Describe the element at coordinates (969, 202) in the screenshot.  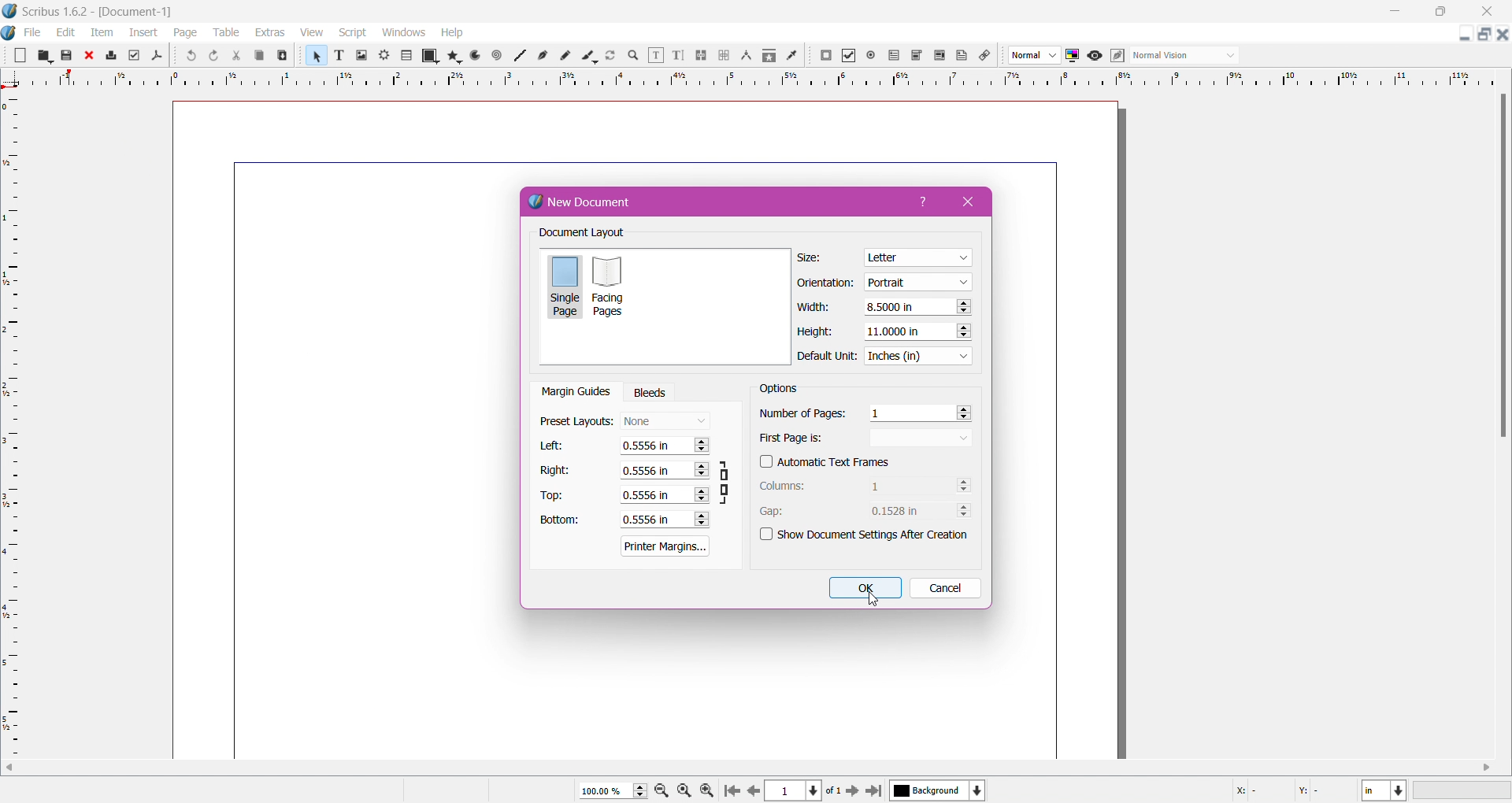
I see `close tab` at that location.